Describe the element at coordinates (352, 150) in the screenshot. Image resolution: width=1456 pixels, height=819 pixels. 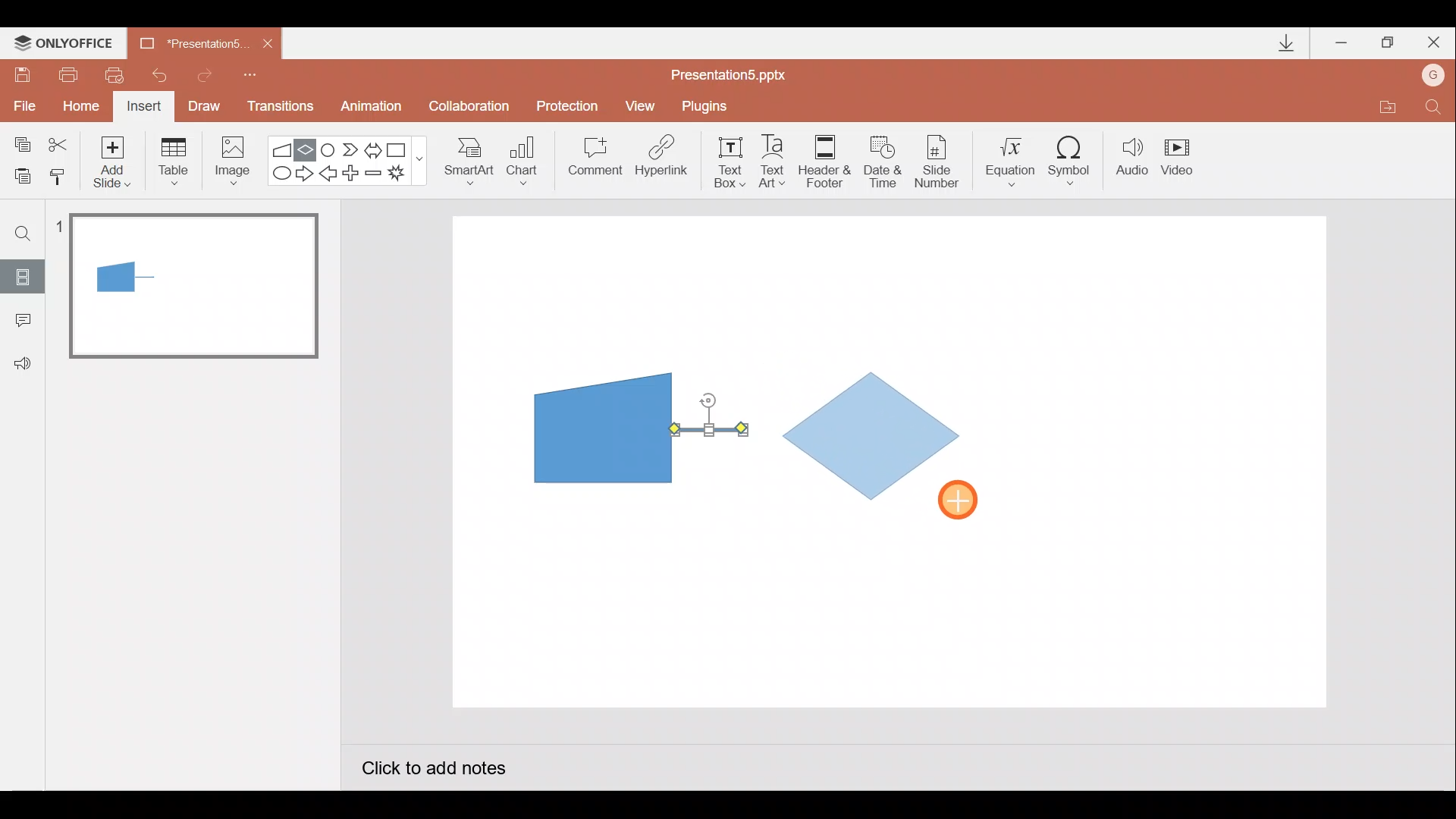
I see `Chevron` at that location.